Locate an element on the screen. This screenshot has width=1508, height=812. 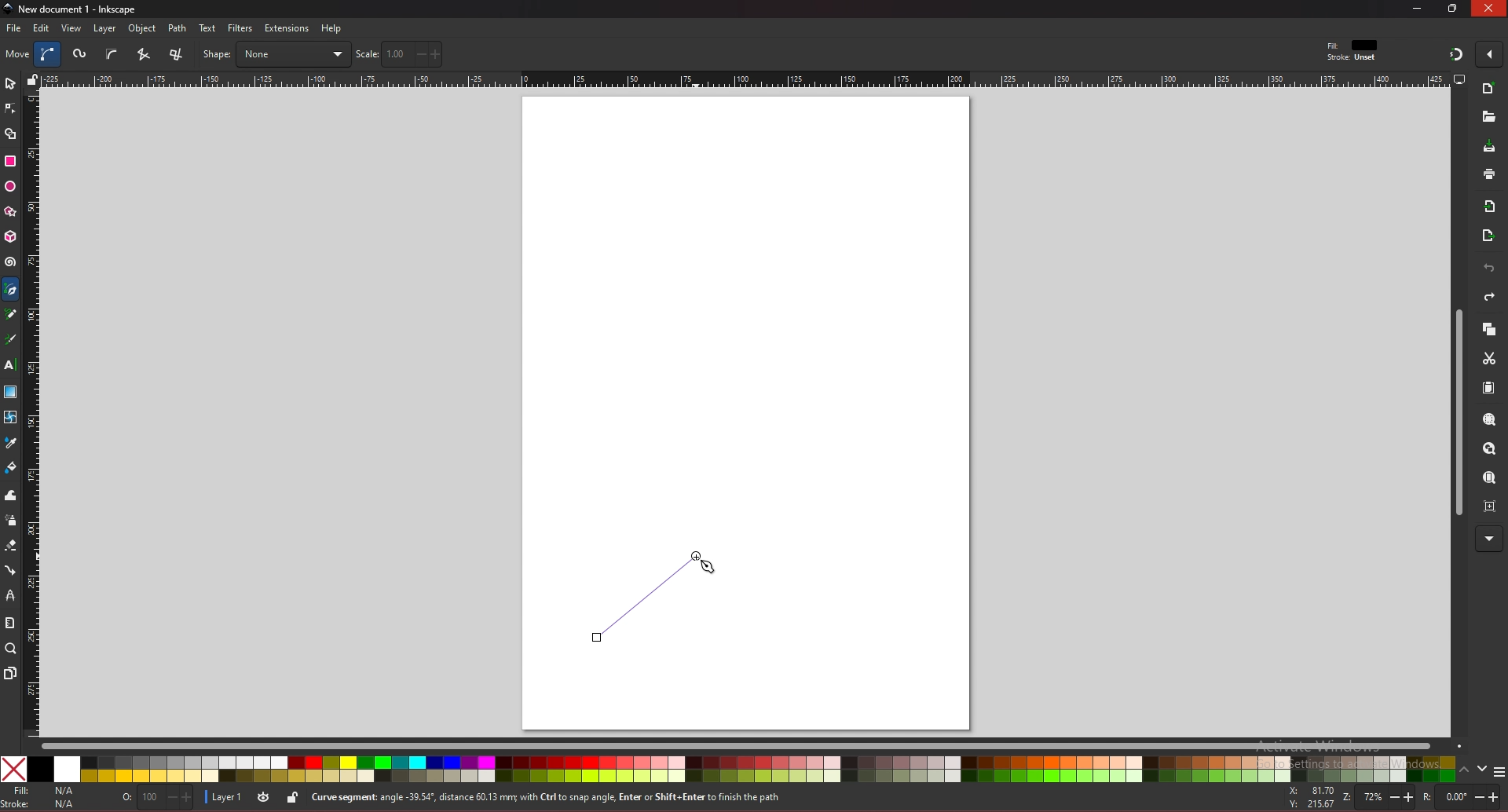
selector is located at coordinates (10, 83).